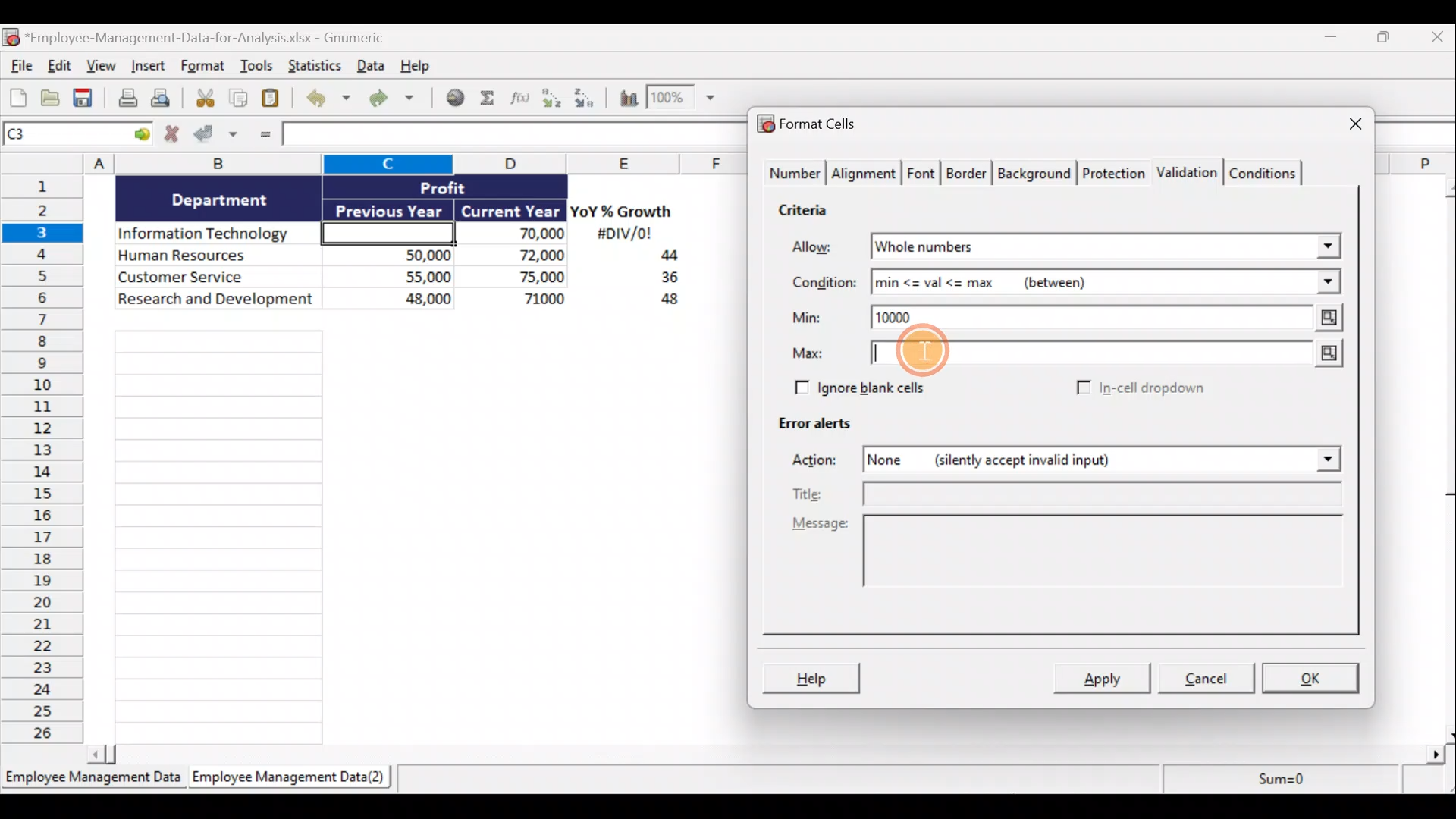  What do you see at coordinates (239, 99) in the screenshot?
I see `Copy selection` at bounding box center [239, 99].